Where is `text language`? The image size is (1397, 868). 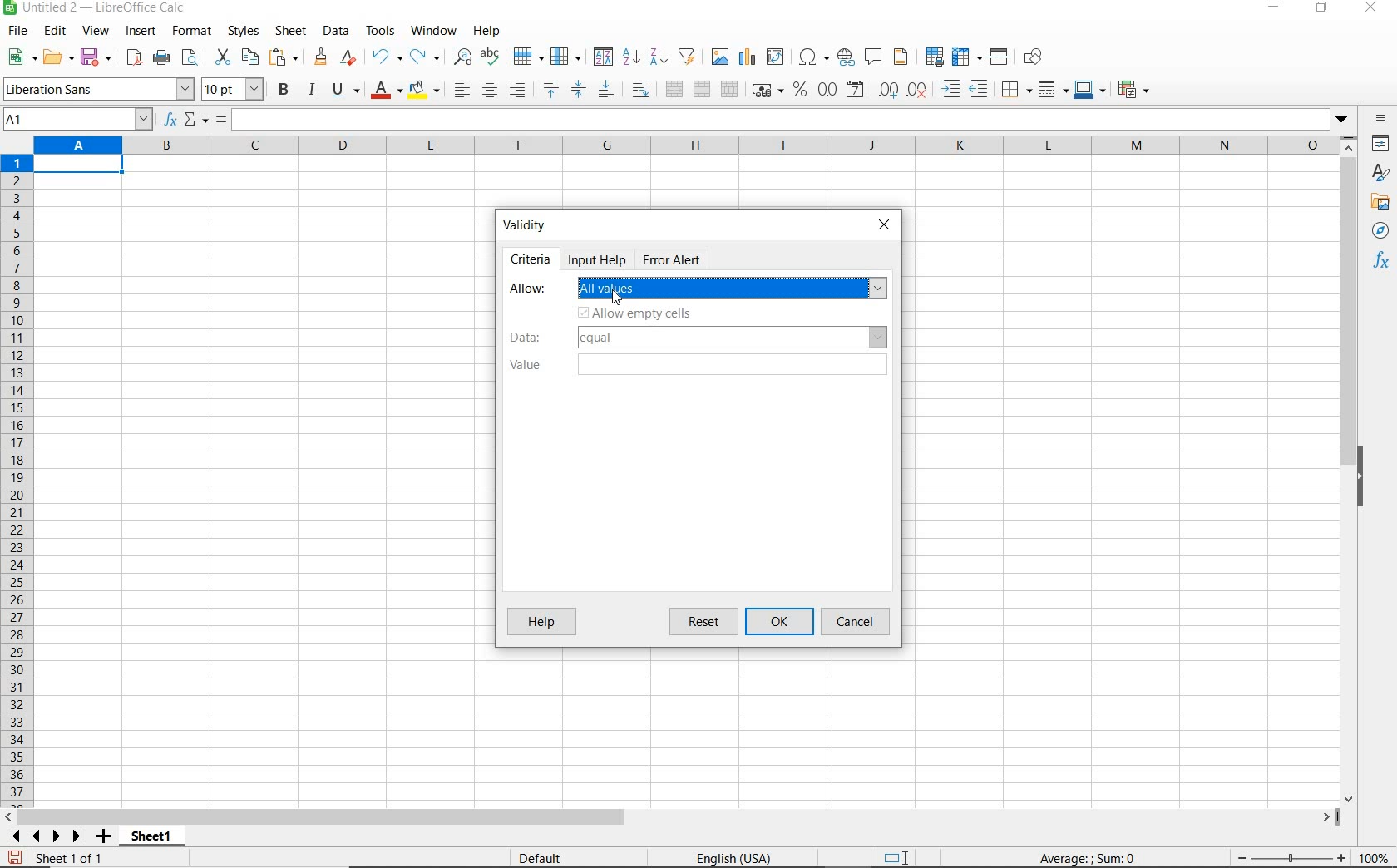
text language is located at coordinates (732, 860).